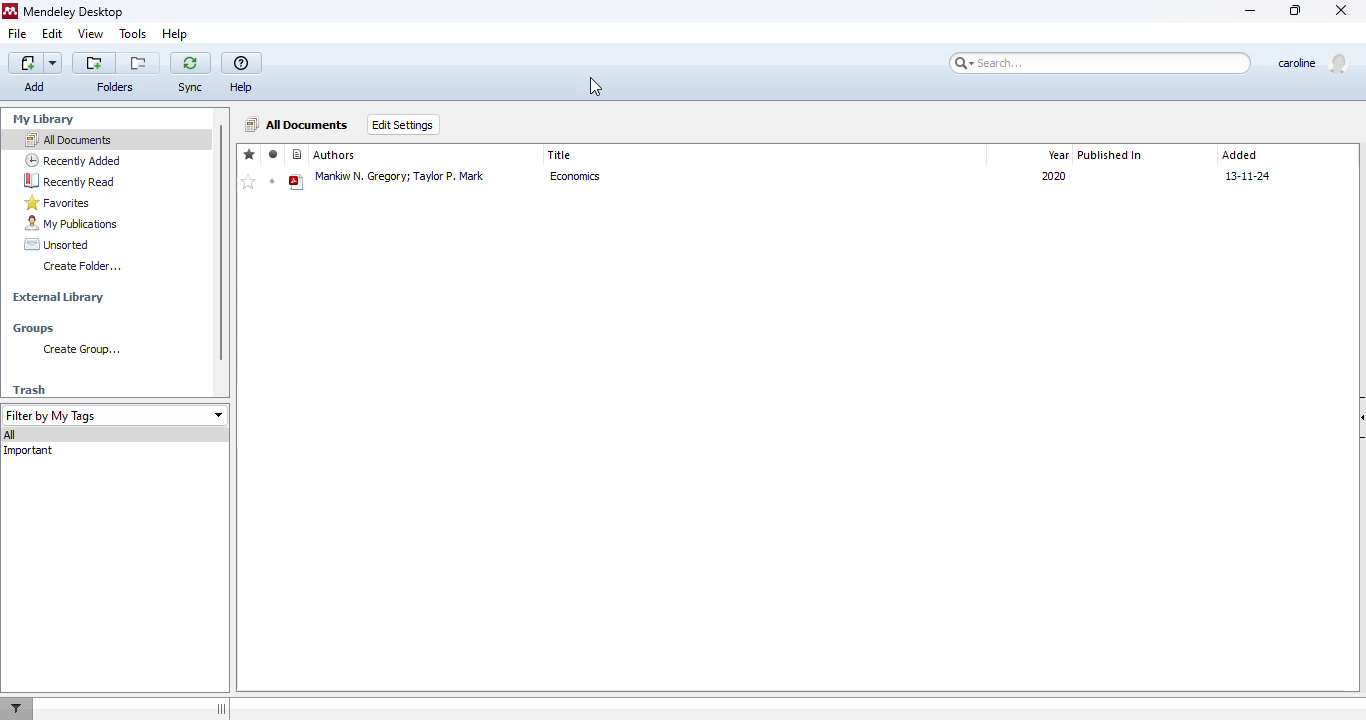 Image resolution: width=1366 pixels, height=720 pixels. What do you see at coordinates (80, 350) in the screenshot?
I see `create group` at bounding box center [80, 350].